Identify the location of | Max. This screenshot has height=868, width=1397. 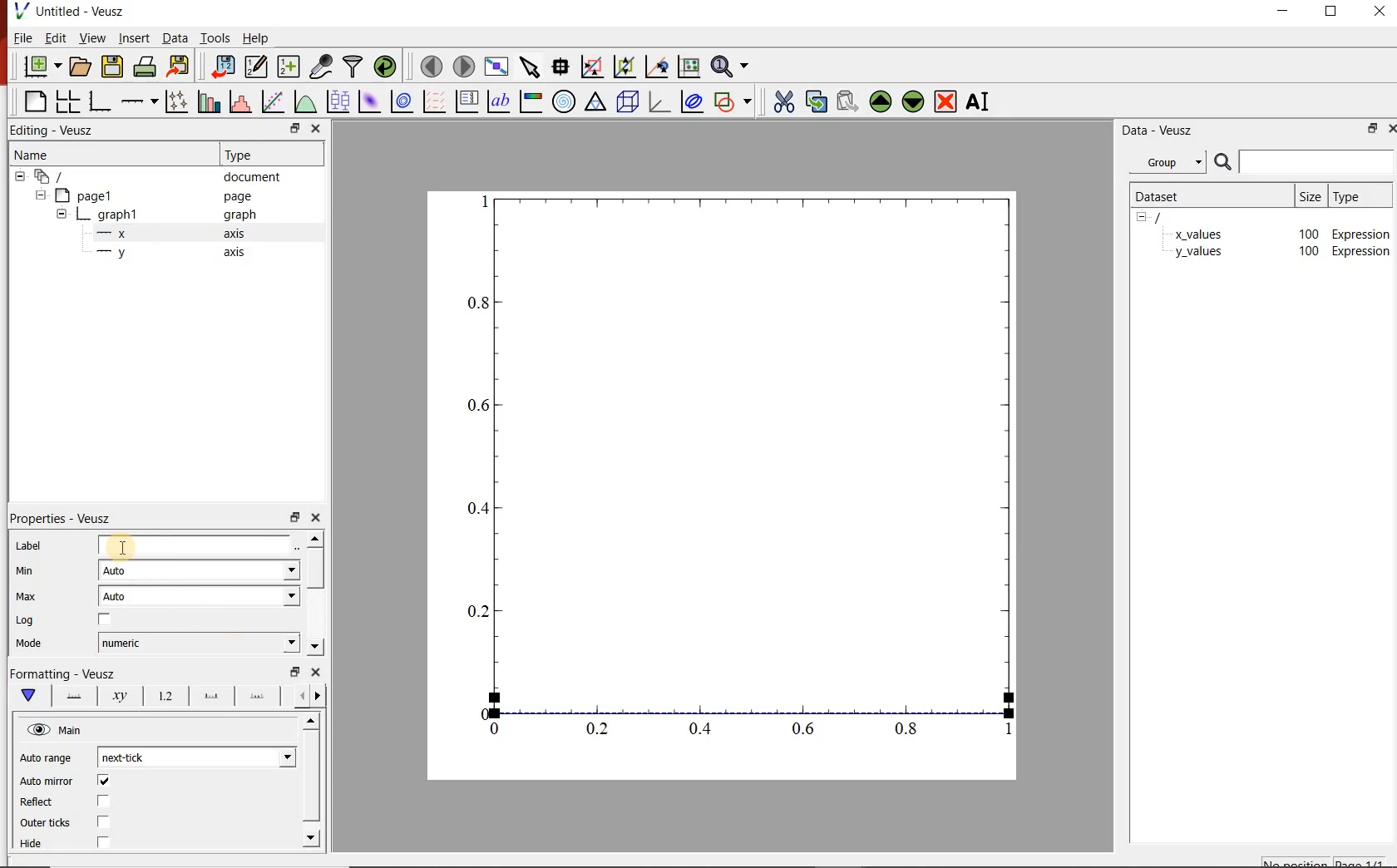
(27, 599).